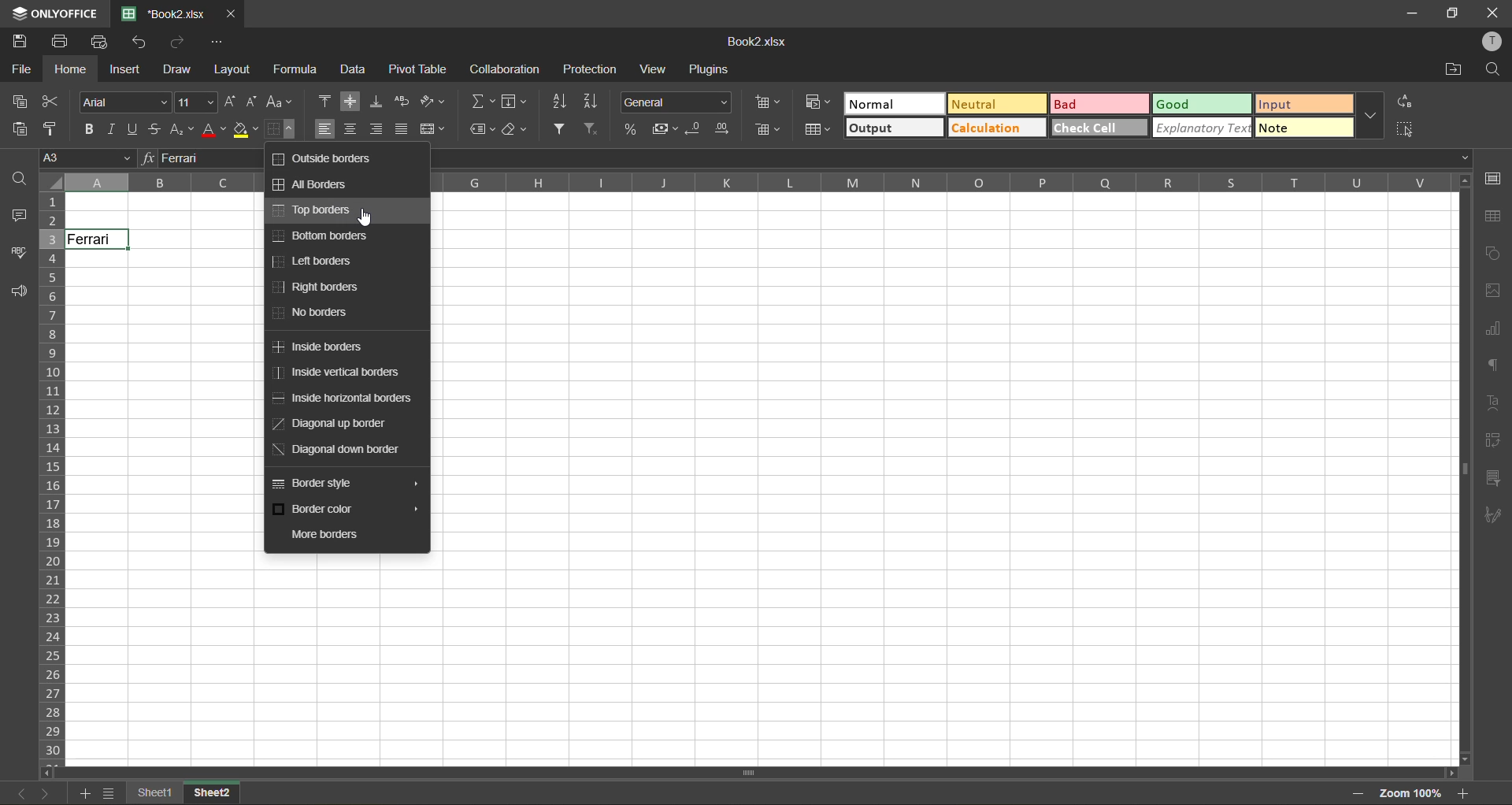 The image size is (1512, 805). Describe the element at coordinates (87, 130) in the screenshot. I see `bold` at that location.